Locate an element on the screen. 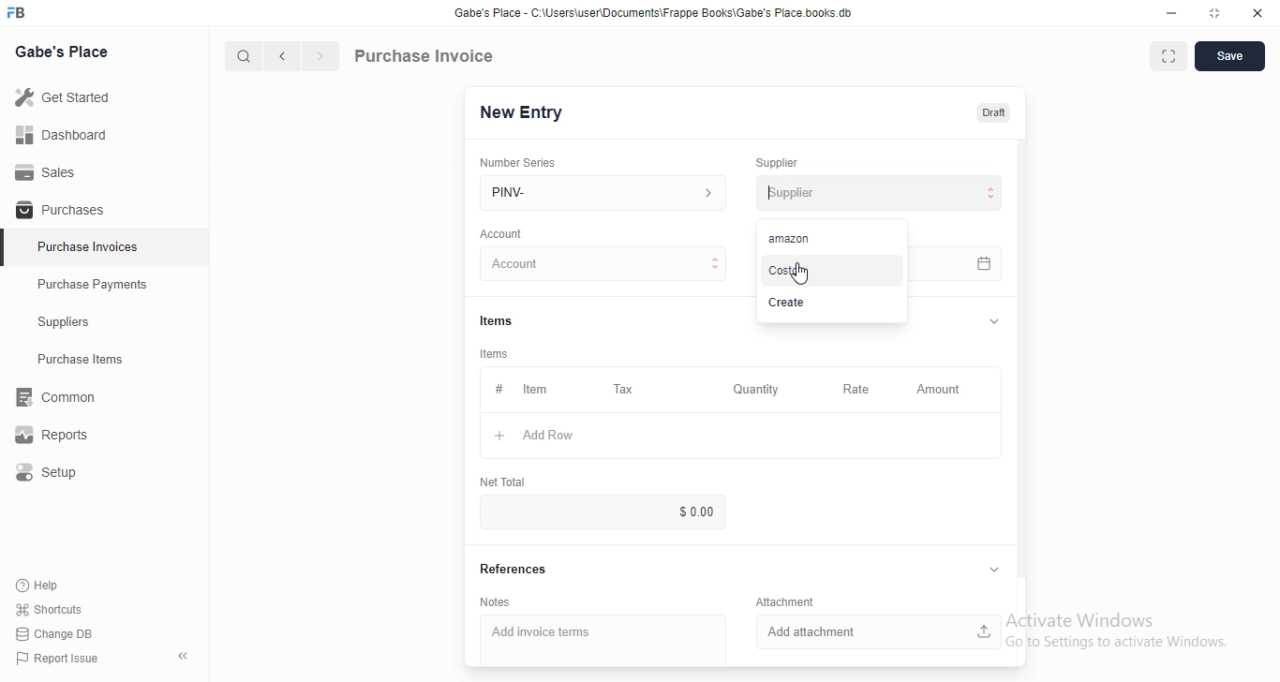 This screenshot has height=682, width=1280. Frappe Books logo is located at coordinates (15, 12).